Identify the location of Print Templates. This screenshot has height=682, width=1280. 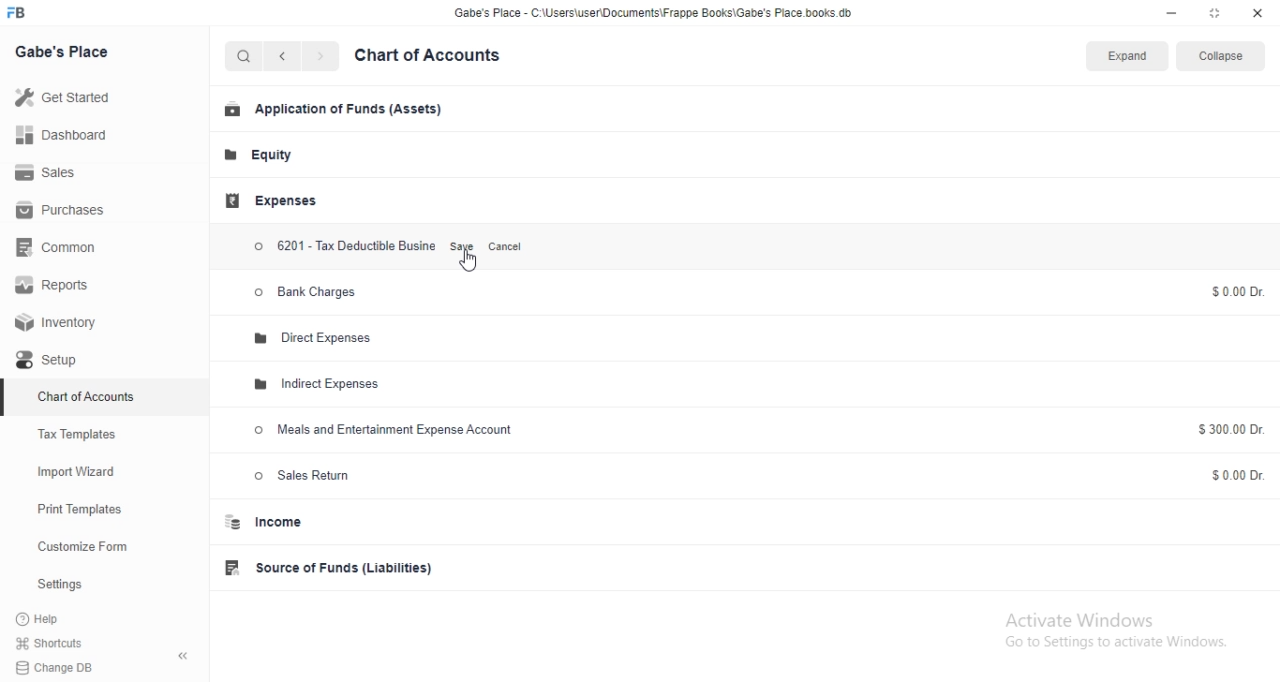
(78, 508).